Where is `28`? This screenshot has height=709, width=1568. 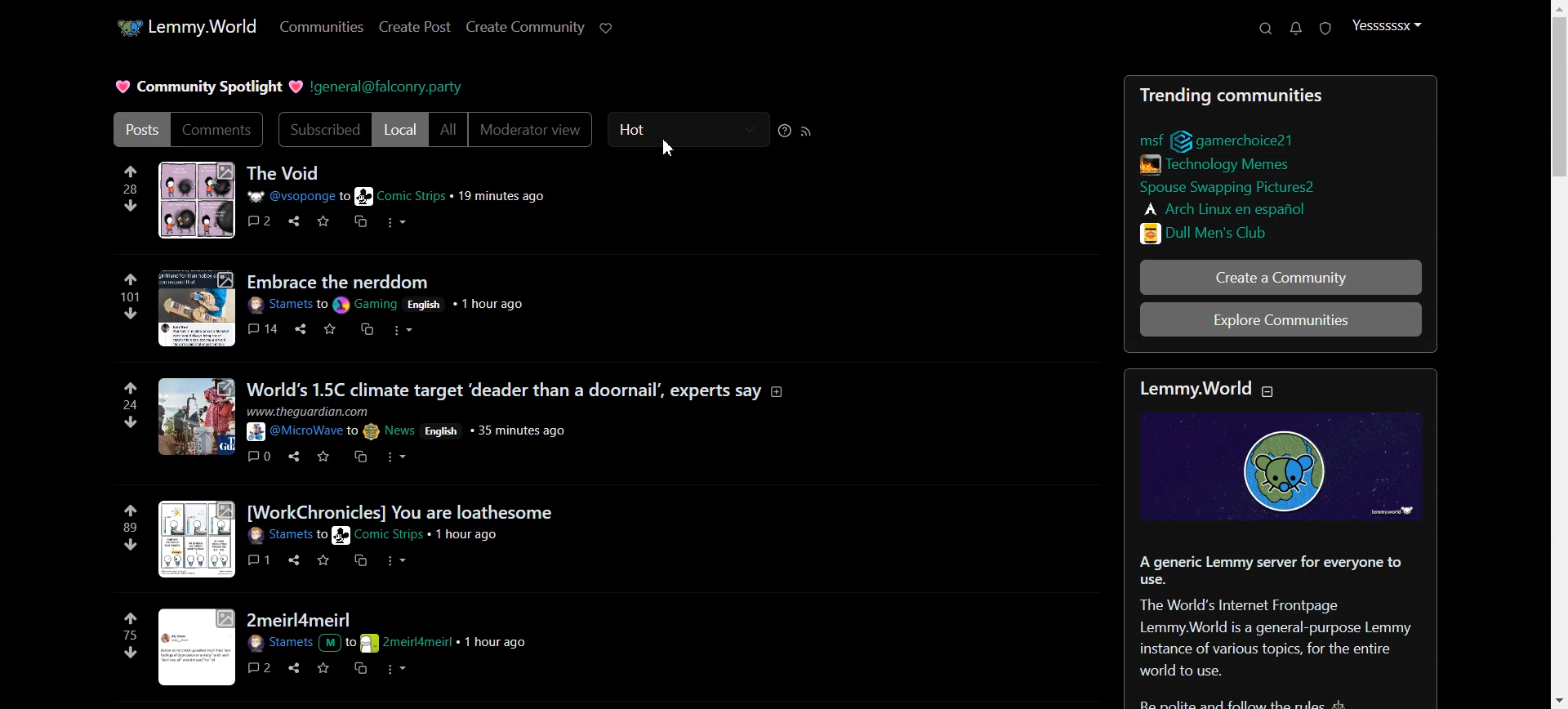 28 is located at coordinates (131, 188).